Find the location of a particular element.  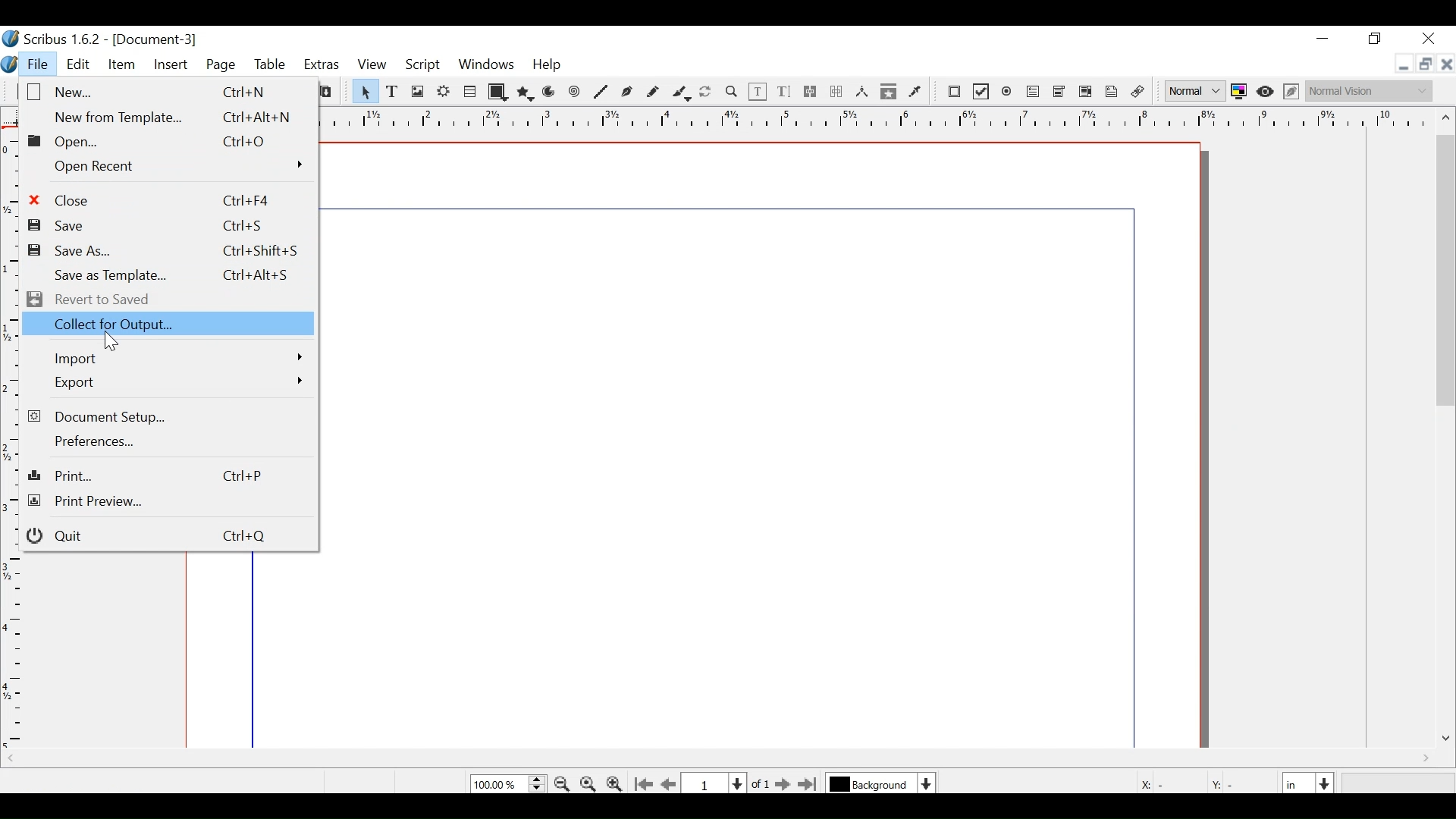

Revert to Saved is located at coordinates (98, 300).